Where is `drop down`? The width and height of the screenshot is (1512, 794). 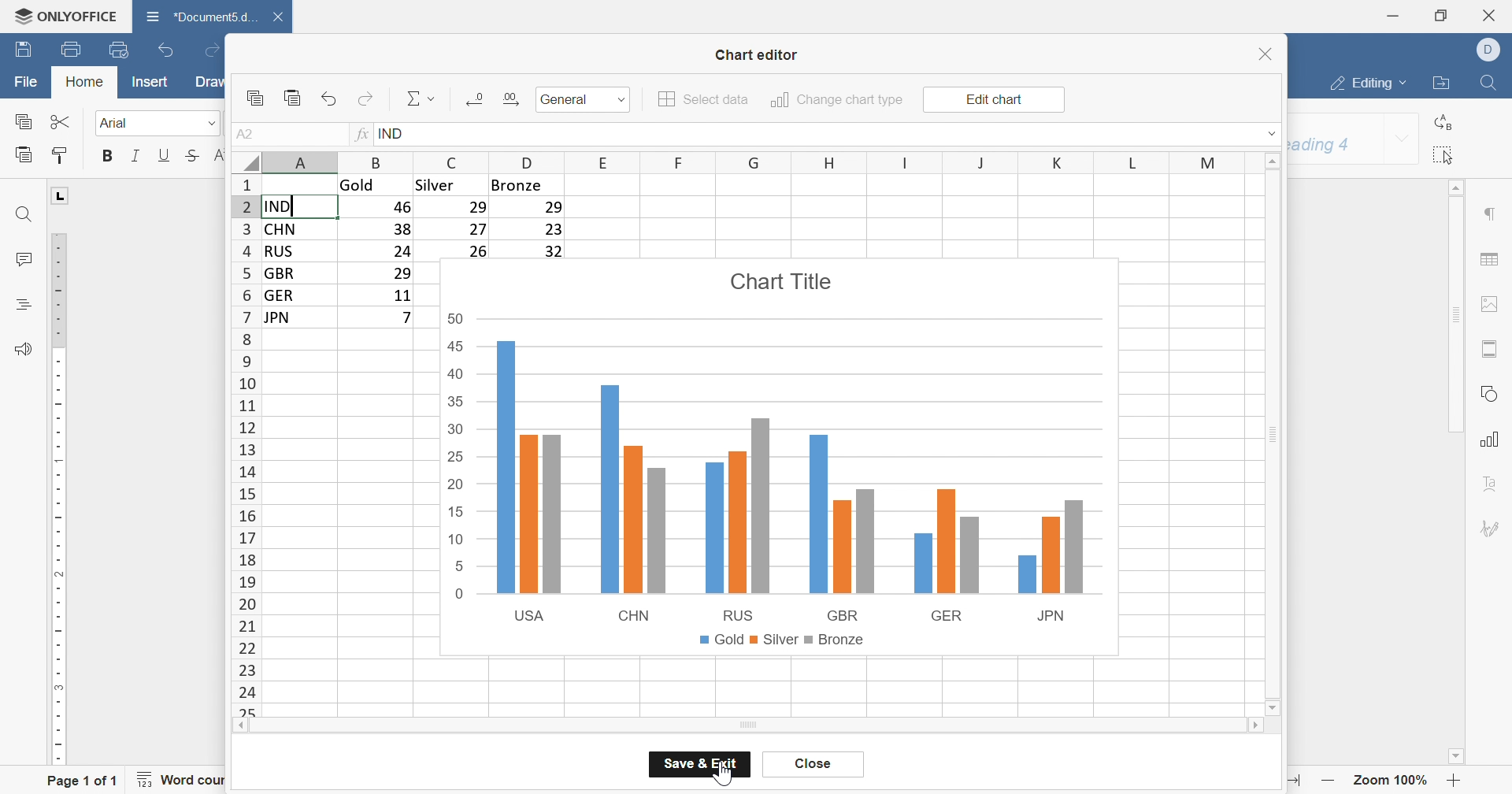 drop down is located at coordinates (1273, 132).